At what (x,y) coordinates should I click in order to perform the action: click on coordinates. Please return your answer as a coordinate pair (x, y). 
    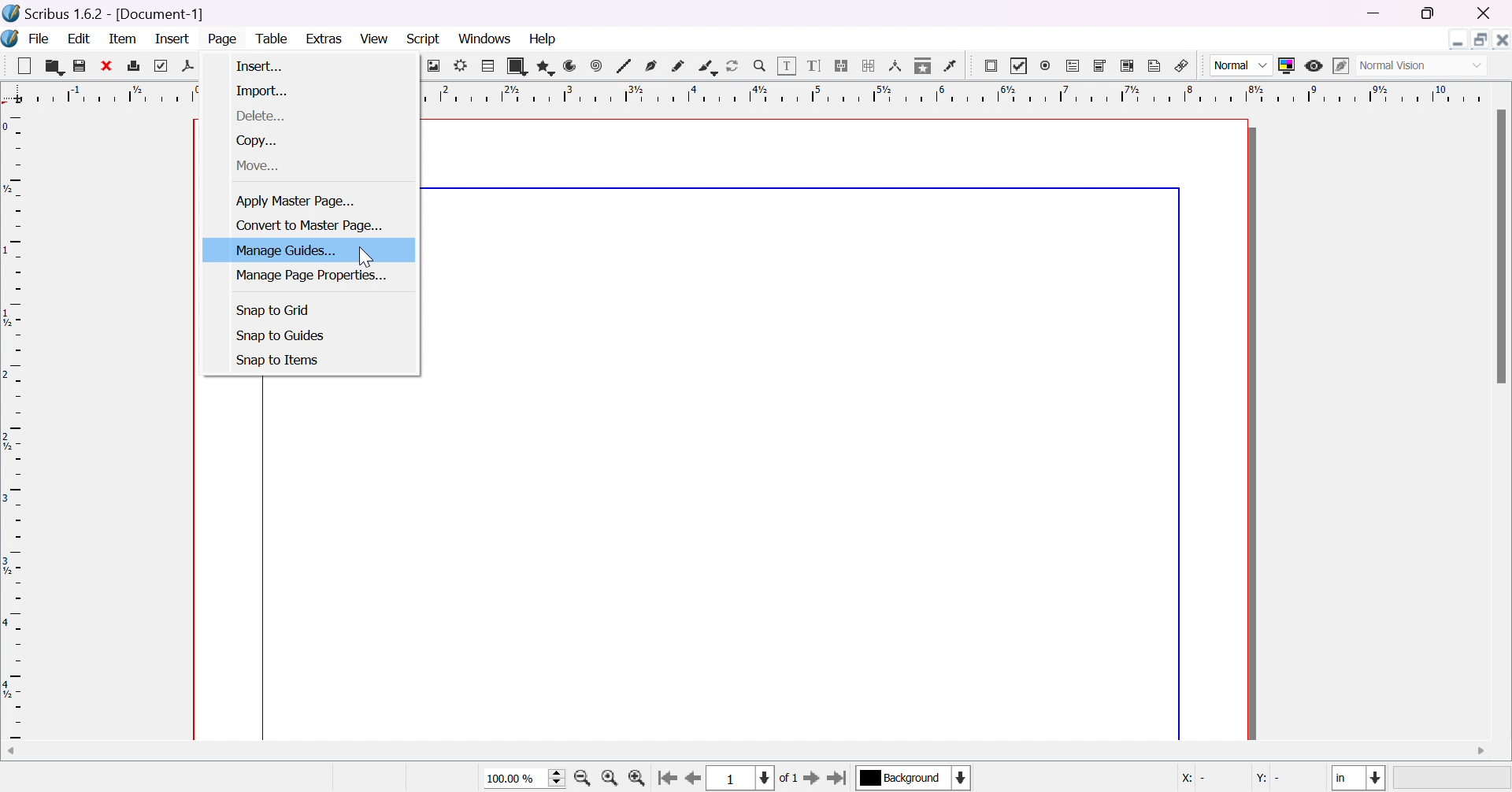
    Looking at the image, I should click on (1236, 780).